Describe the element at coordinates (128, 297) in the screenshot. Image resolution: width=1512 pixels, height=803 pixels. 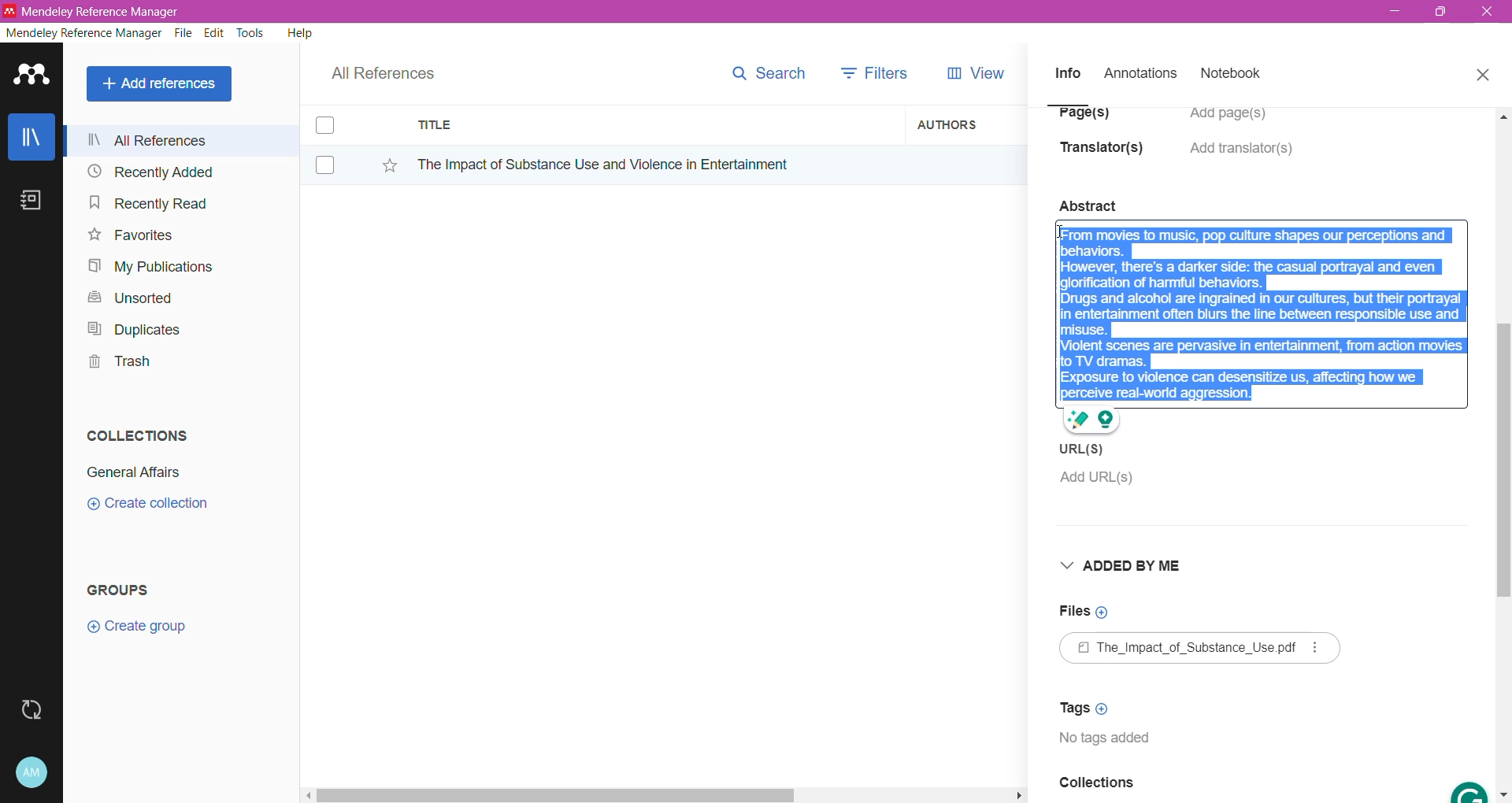
I see `Unsorted` at that location.